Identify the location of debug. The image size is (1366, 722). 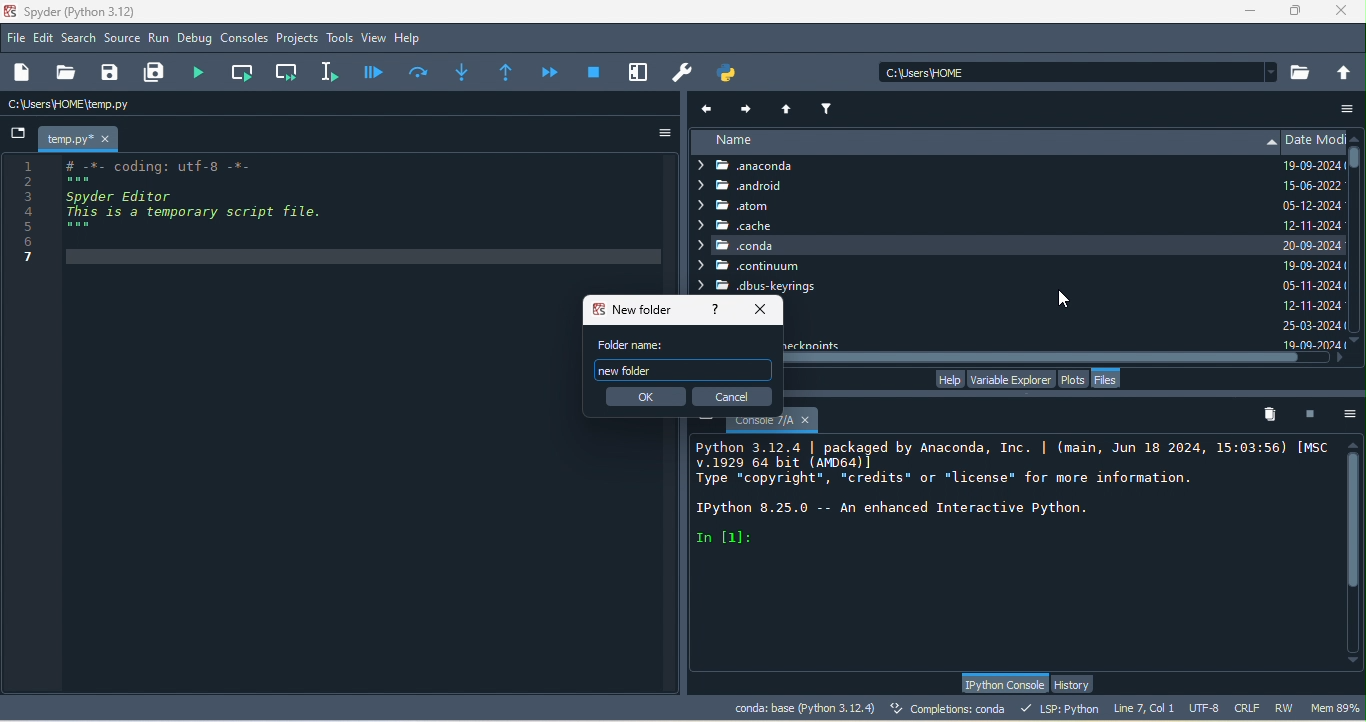
(197, 40).